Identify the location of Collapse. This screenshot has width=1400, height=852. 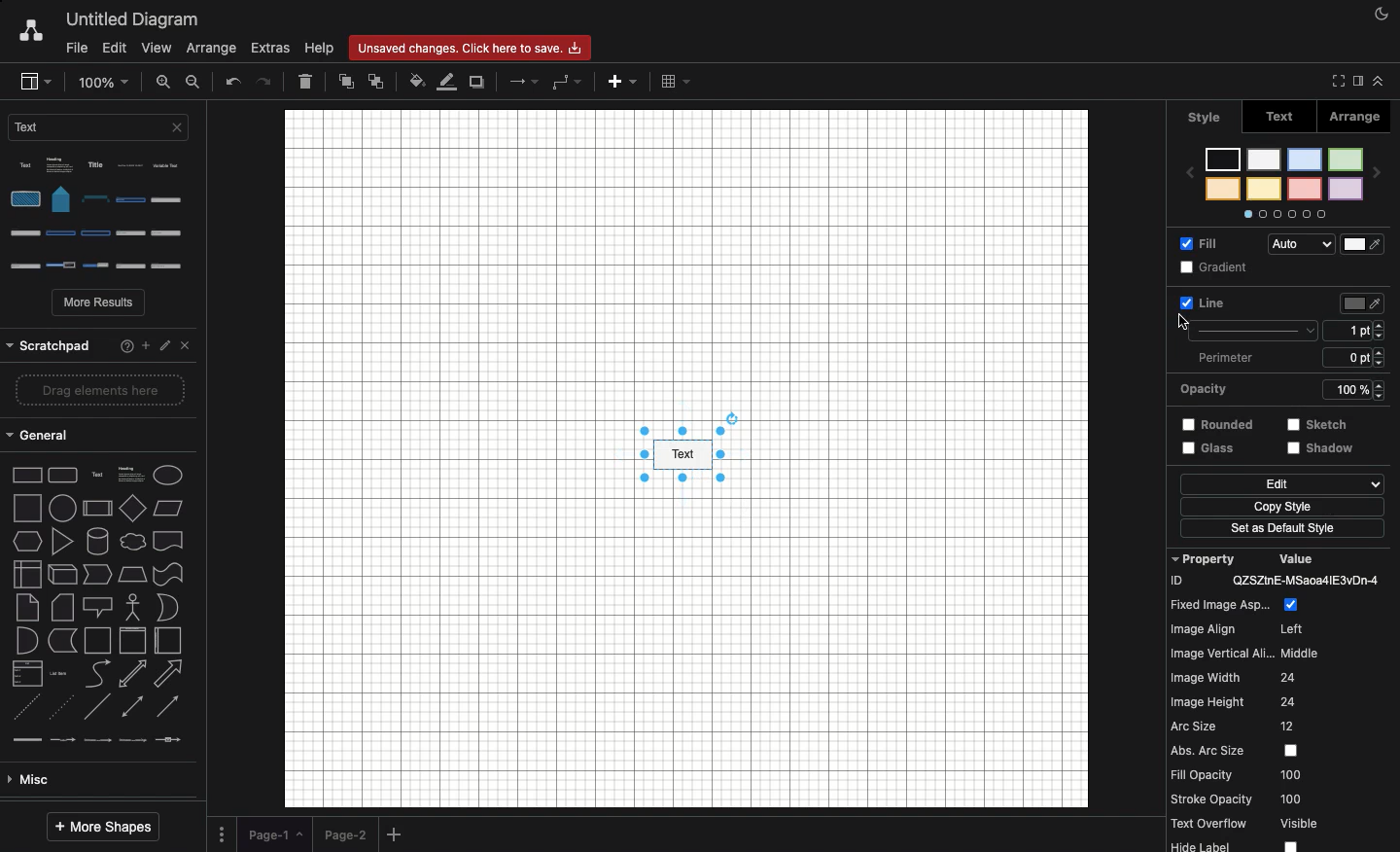
(1379, 81).